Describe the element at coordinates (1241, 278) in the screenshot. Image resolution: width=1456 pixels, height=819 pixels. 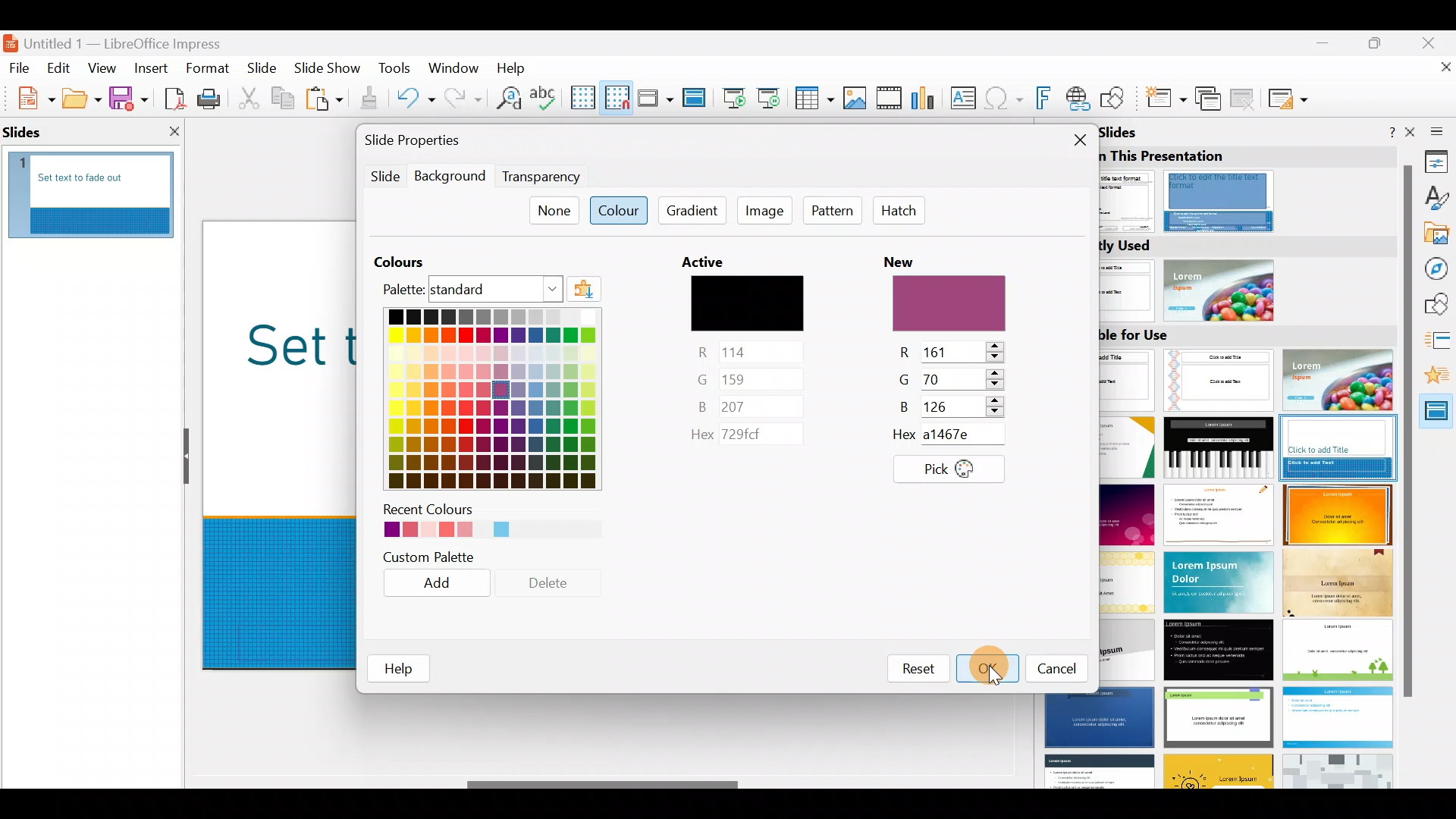
I see `Recently used` at that location.